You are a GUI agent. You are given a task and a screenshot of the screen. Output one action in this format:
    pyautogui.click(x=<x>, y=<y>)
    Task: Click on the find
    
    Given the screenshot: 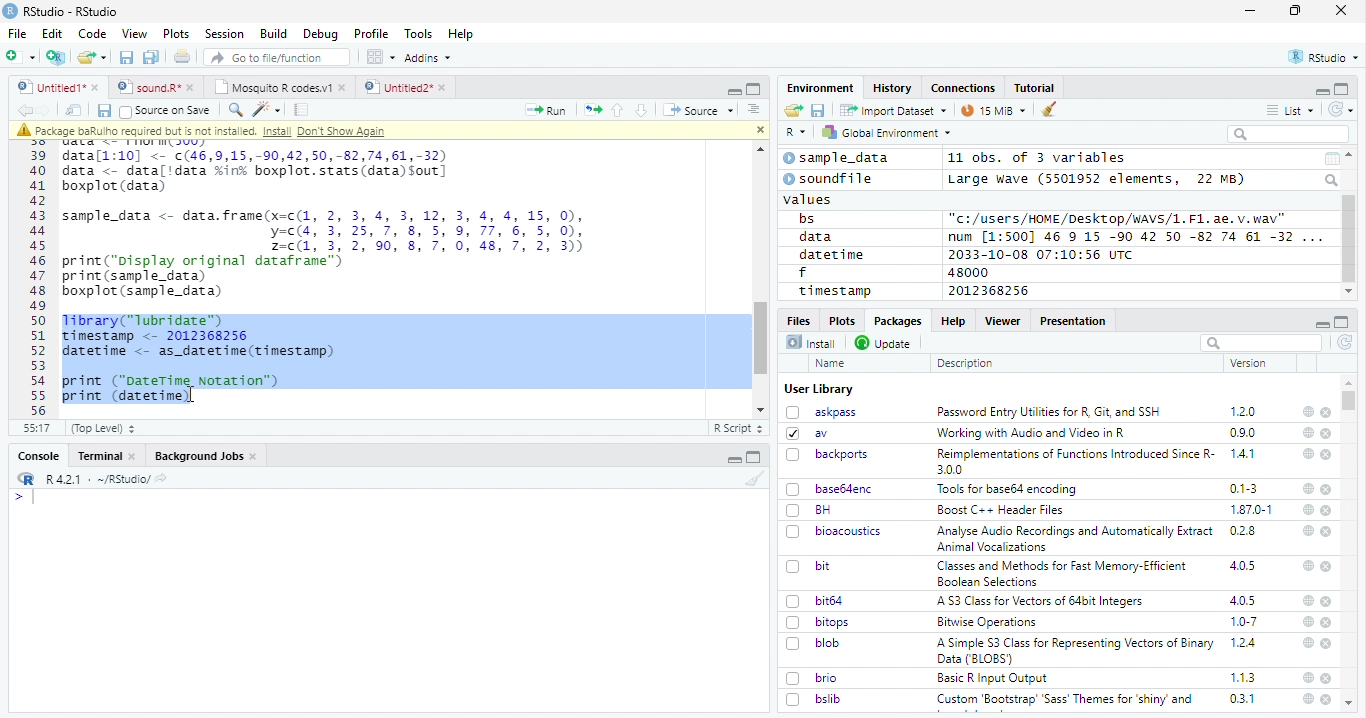 What is the action you would take?
    pyautogui.click(x=233, y=108)
    